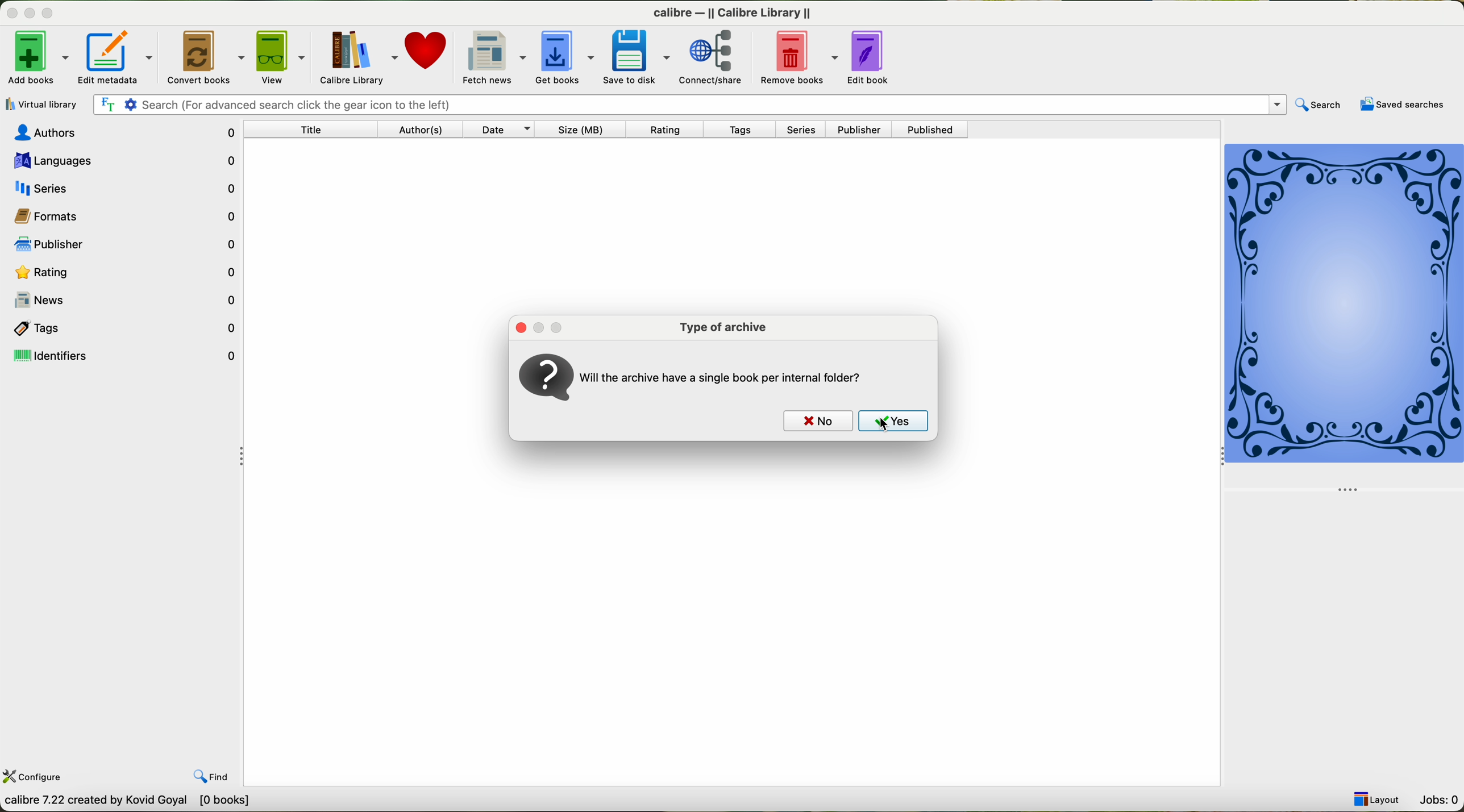 The width and height of the screenshot is (1464, 812). What do you see at coordinates (27, 14) in the screenshot?
I see `minimize` at bounding box center [27, 14].